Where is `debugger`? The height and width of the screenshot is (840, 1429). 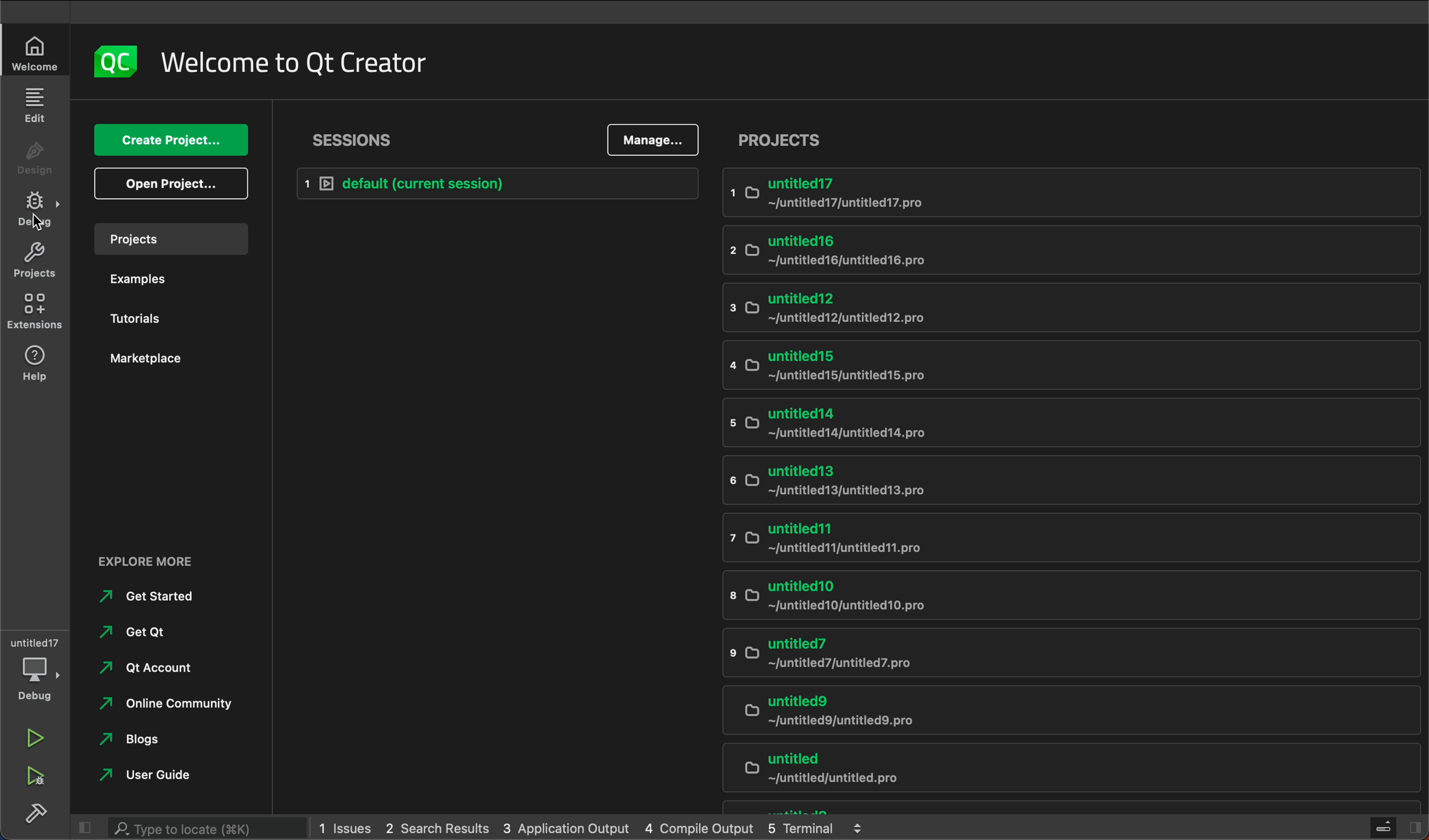
debugger is located at coordinates (33, 670).